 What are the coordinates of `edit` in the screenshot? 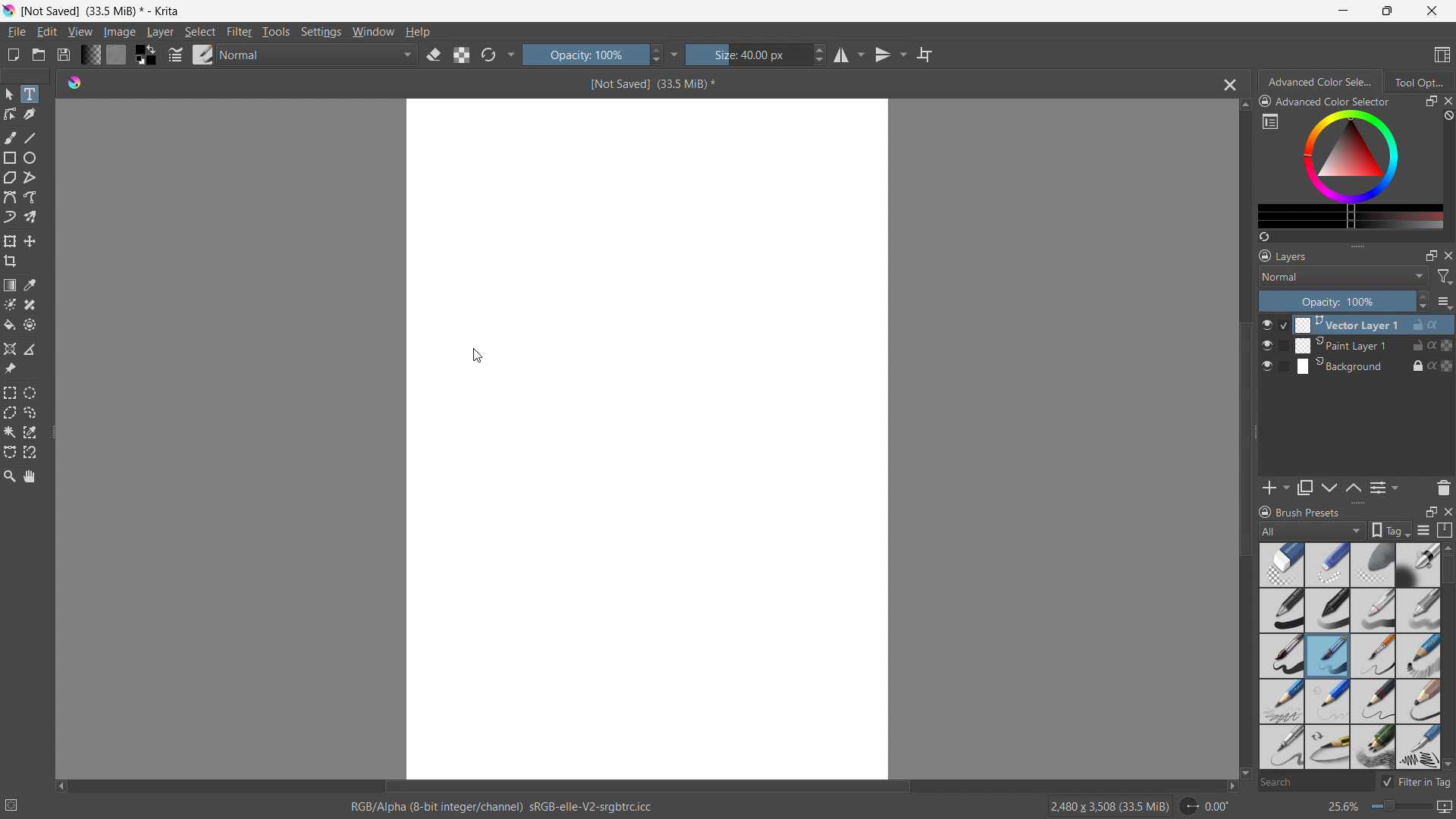 It's located at (46, 33).